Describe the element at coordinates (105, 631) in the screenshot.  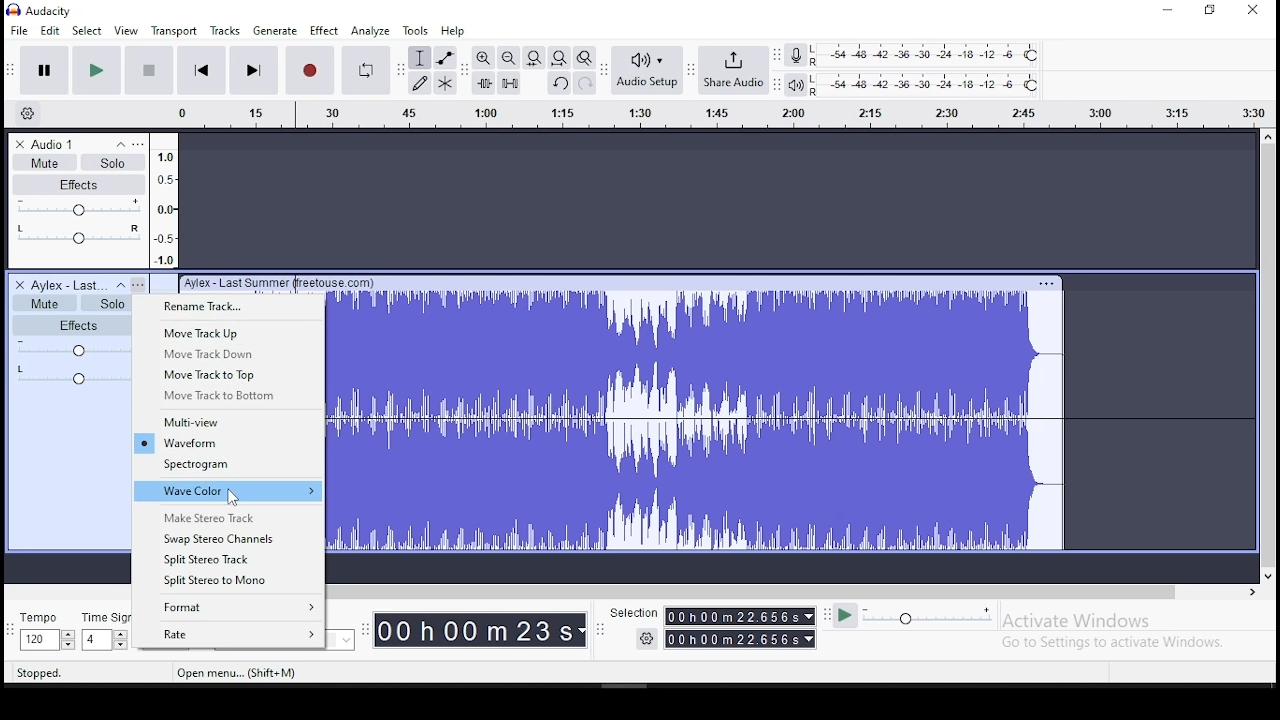
I see `time signature` at that location.